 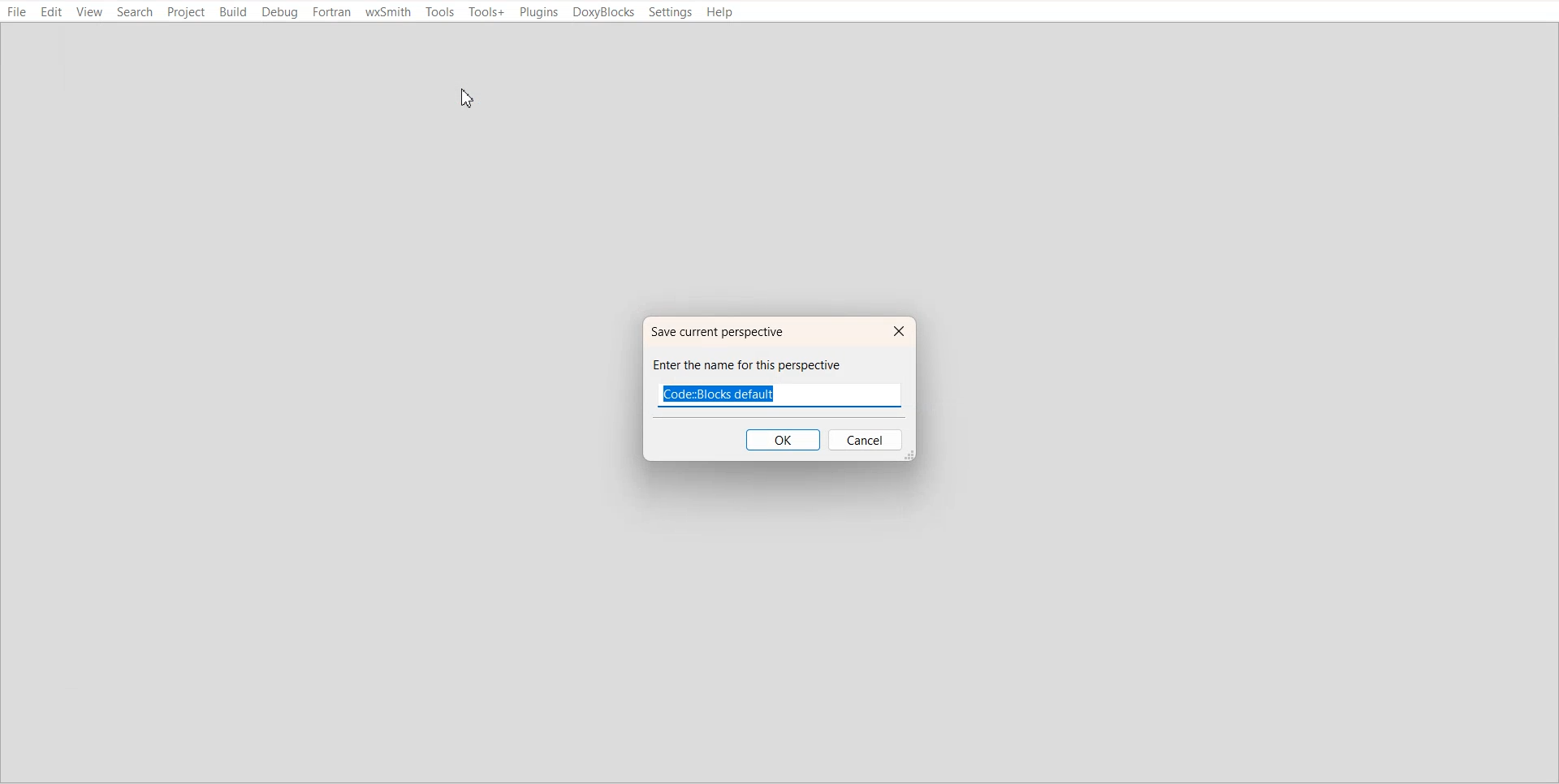 I want to click on File, so click(x=18, y=12).